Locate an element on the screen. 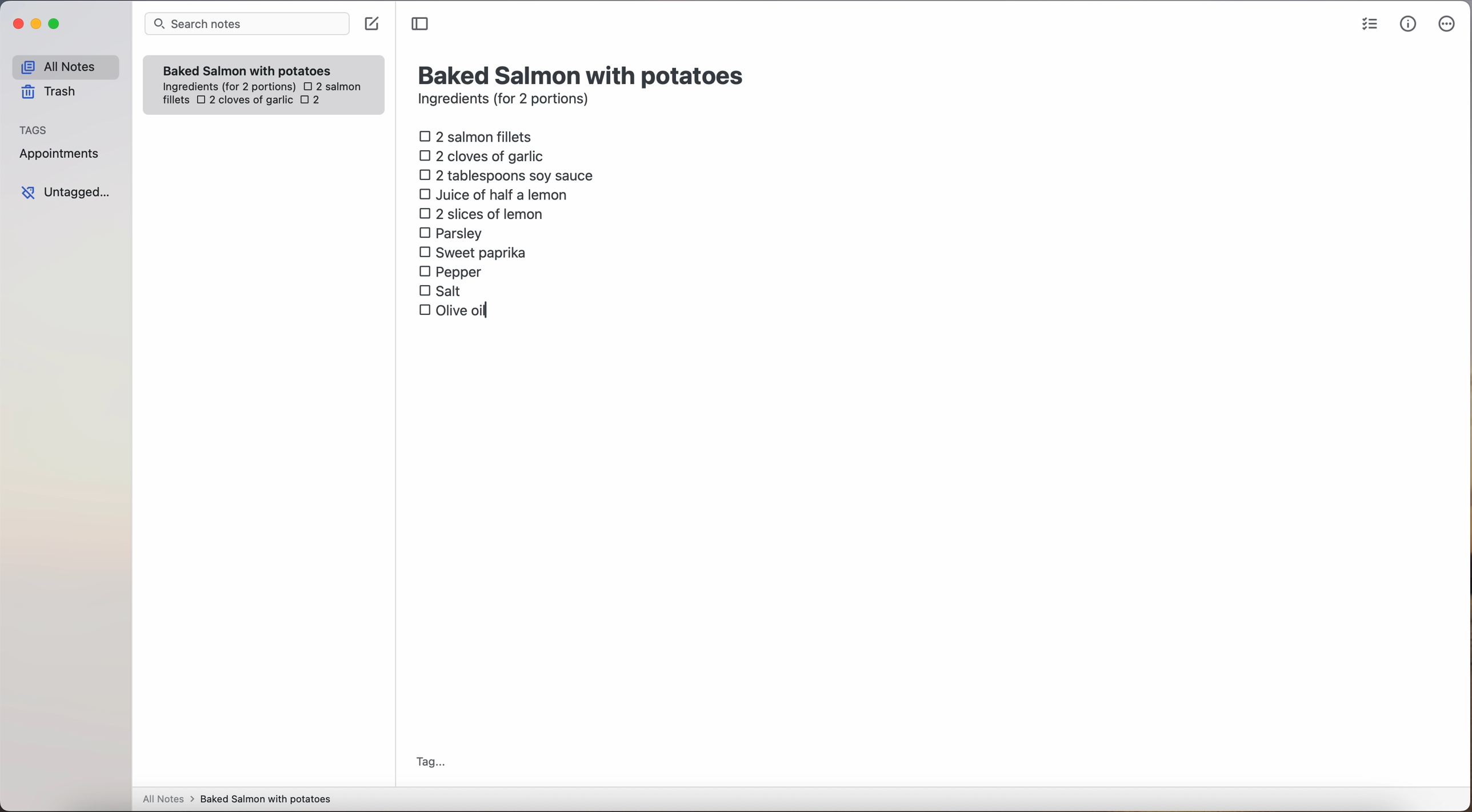  maximize is located at coordinates (56, 23).